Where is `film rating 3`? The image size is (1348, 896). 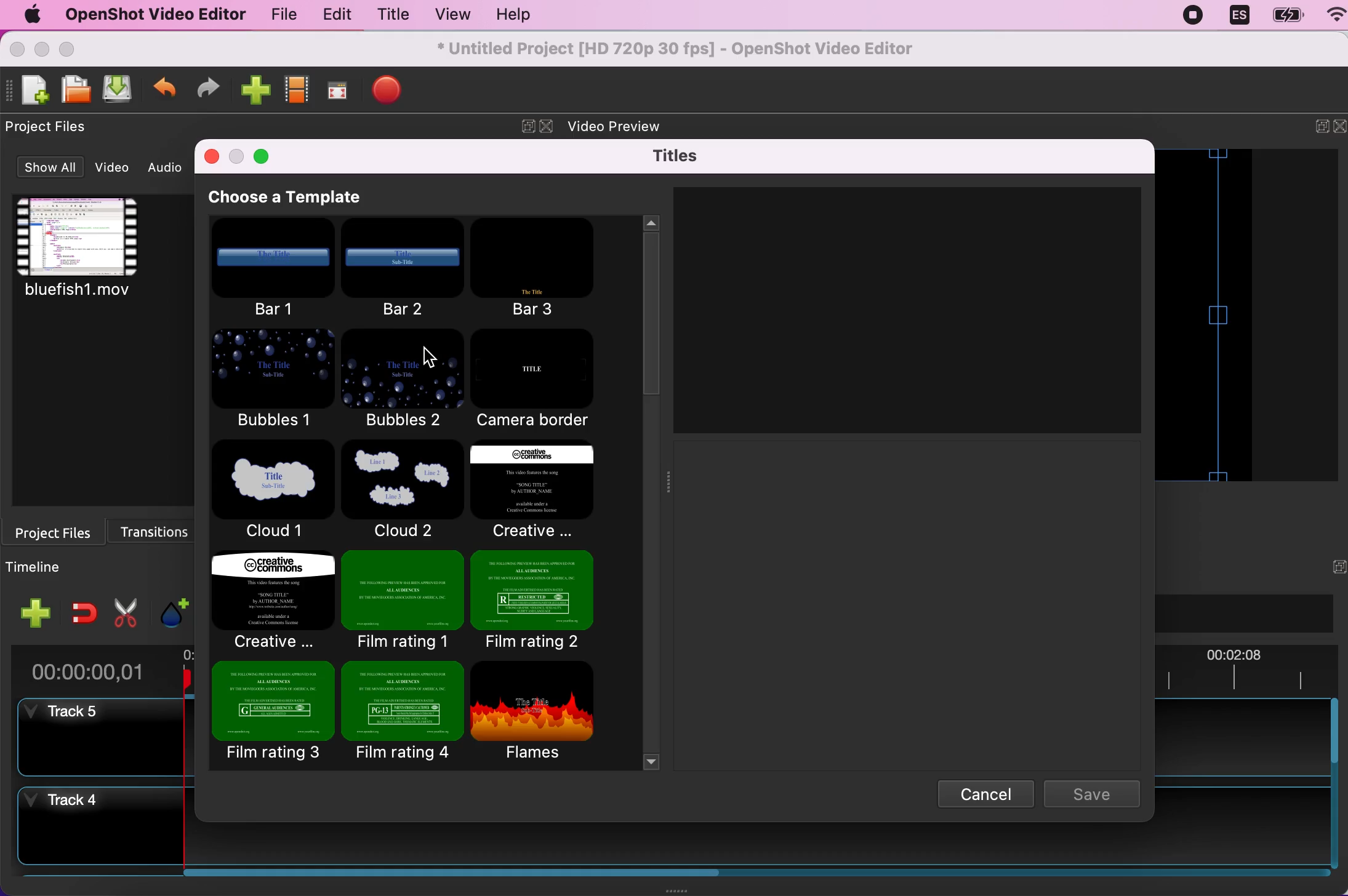 film rating 3 is located at coordinates (273, 714).